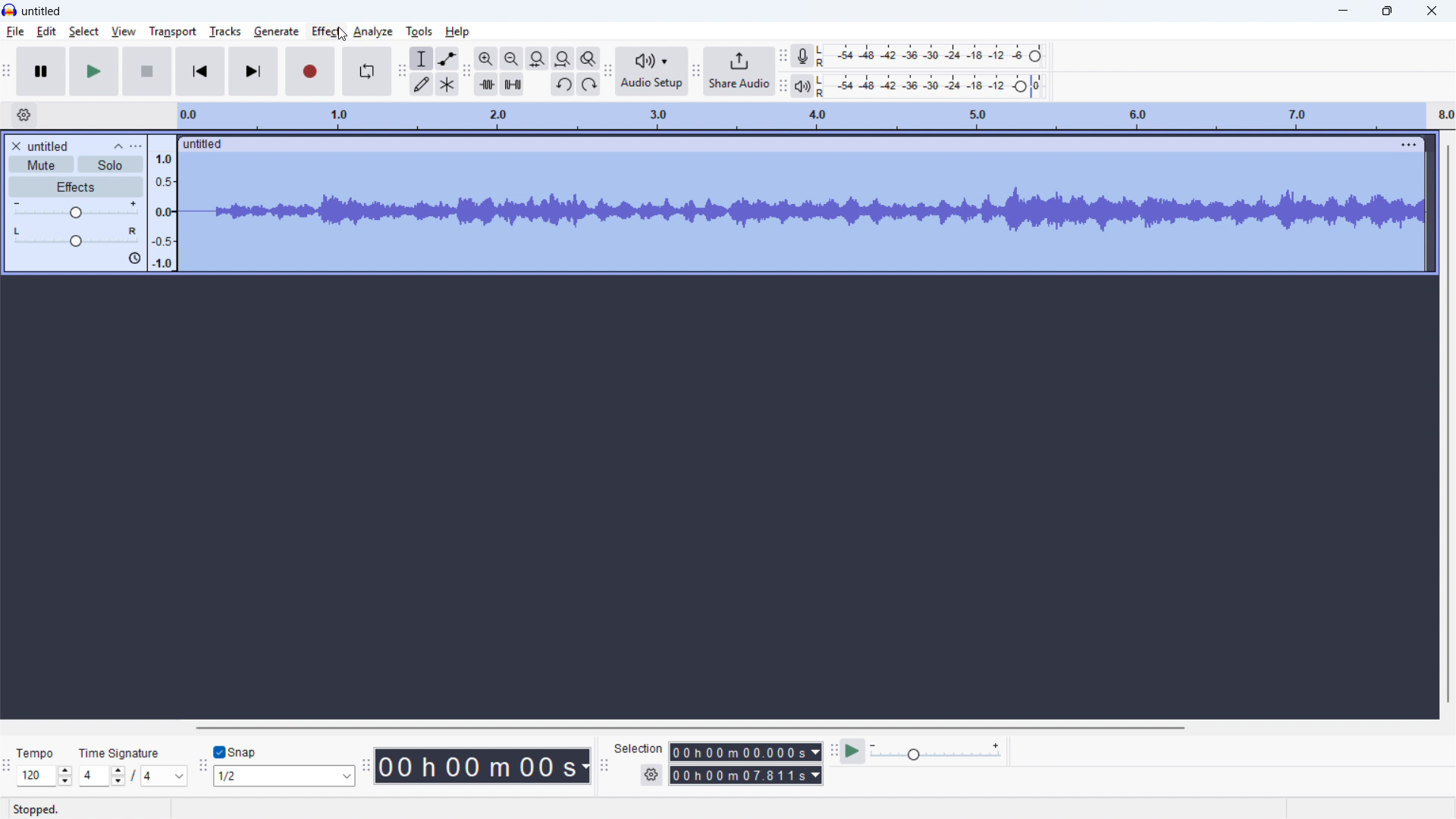 The image size is (1456, 819). What do you see at coordinates (787, 143) in the screenshot?
I see `Click to drag ` at bounding box center [787, 143].